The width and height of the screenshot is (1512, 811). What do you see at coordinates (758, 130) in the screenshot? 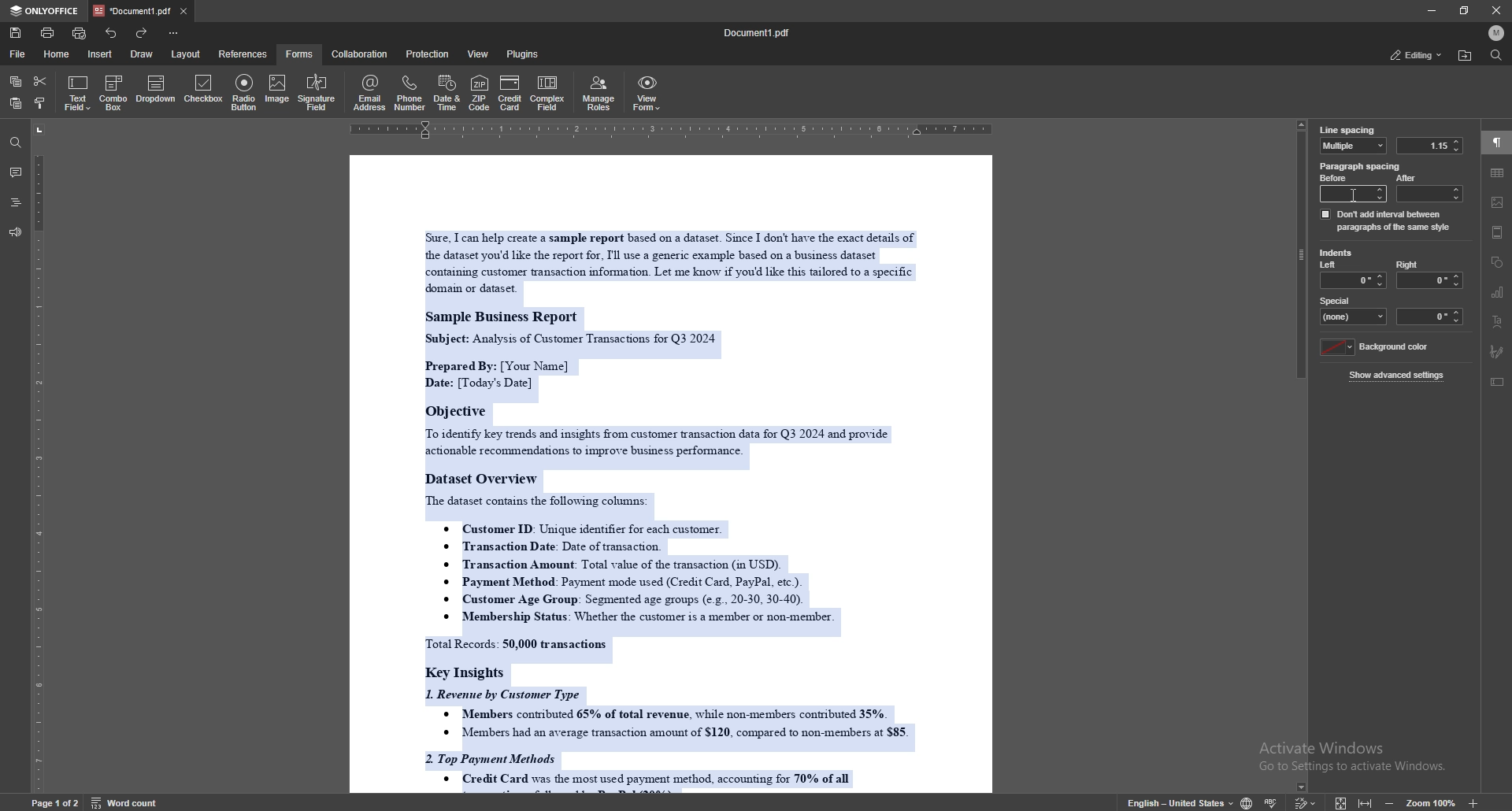
I see `horizontal scale` at bounding box center [758, 130].